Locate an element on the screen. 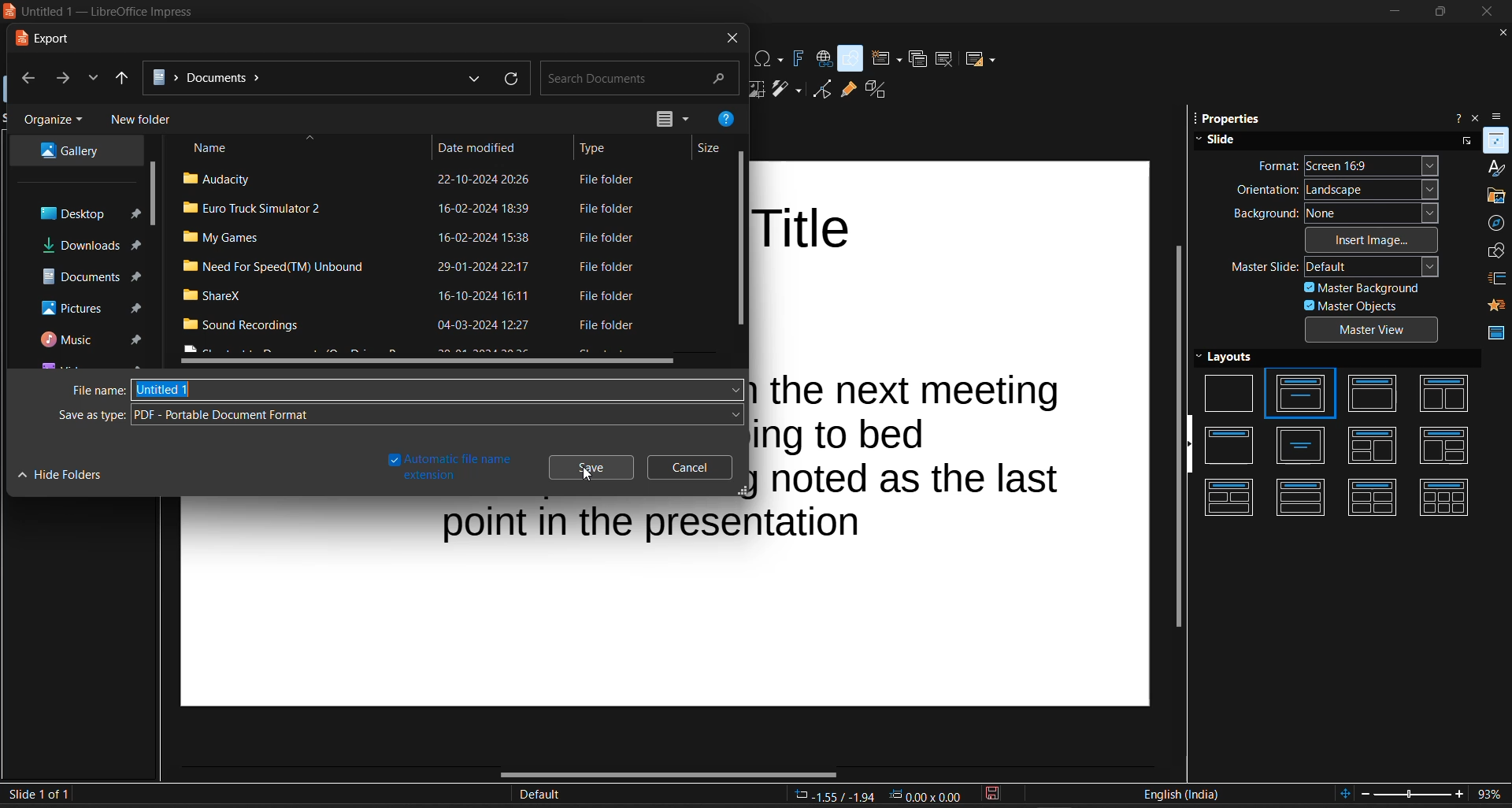 The height and width of the screenshot is (808, 1512). Documents is located at coordinates (297, 79).